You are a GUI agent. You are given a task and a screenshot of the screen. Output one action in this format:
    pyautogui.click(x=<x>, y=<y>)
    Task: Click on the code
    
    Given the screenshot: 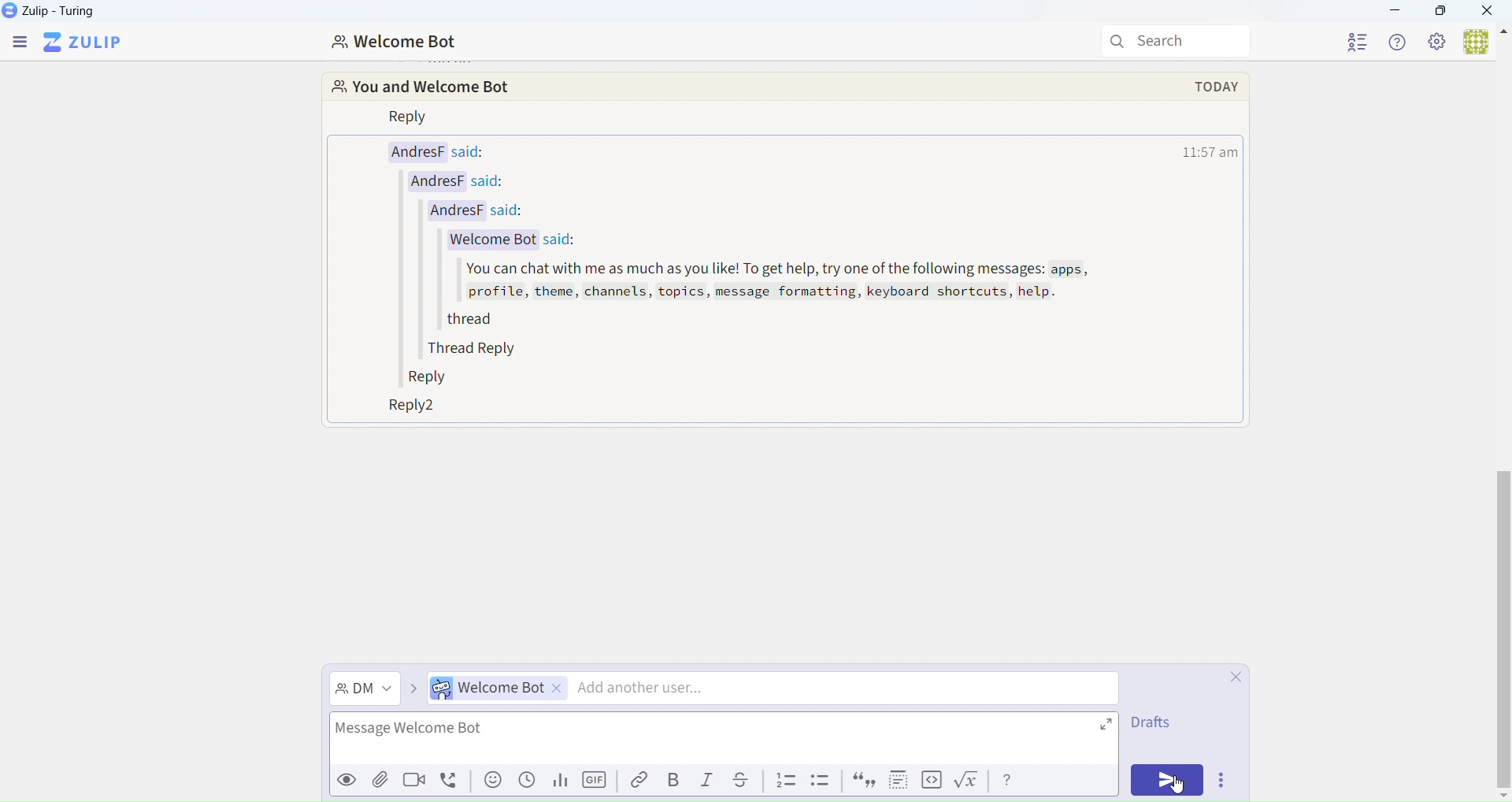 What is the action you would take?
    pyautogui.click(x=932, y=782)
    